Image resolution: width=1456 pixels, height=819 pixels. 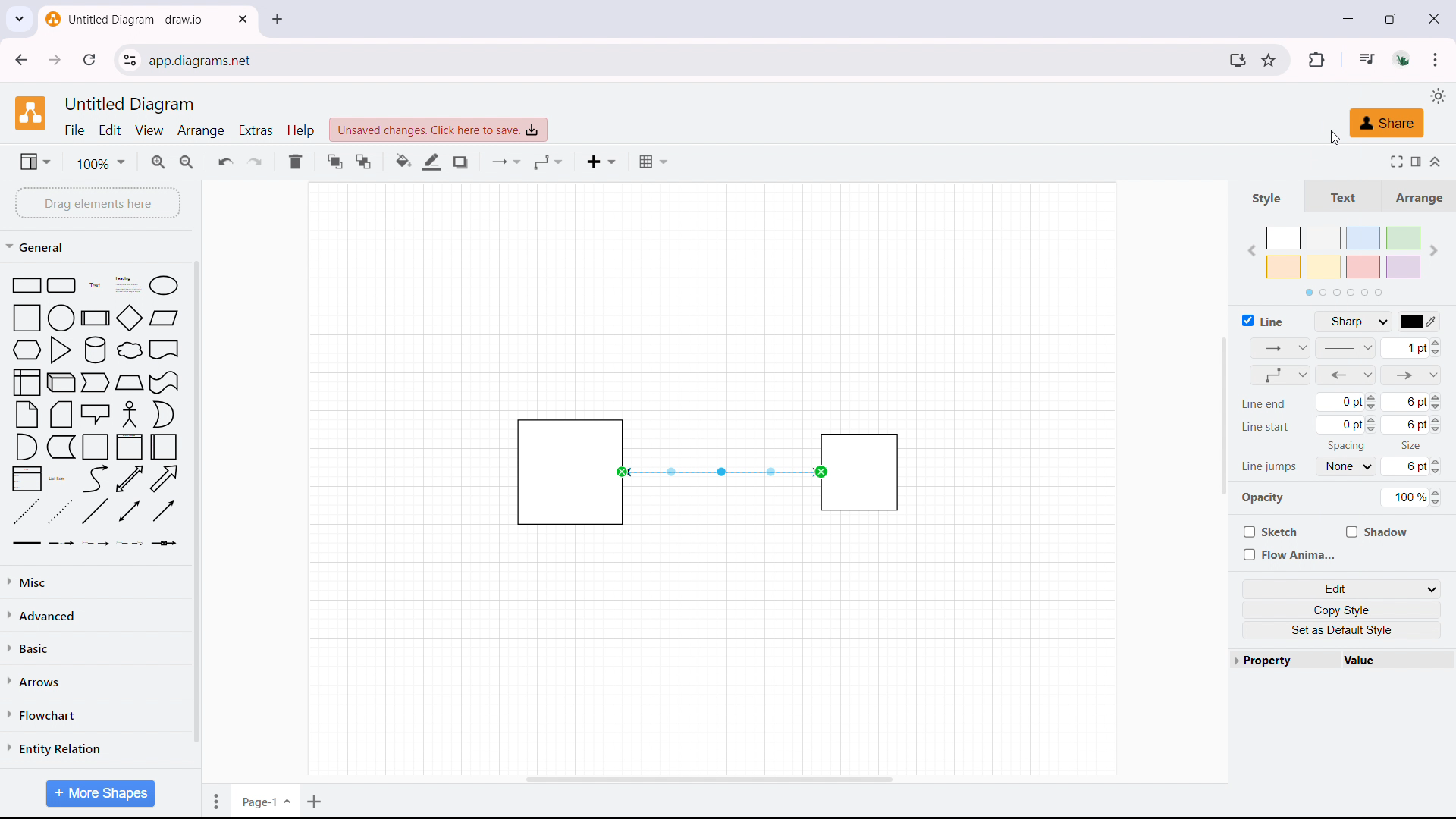 I want to click on click to go back, hold to see history, so click(x=20, y=59).